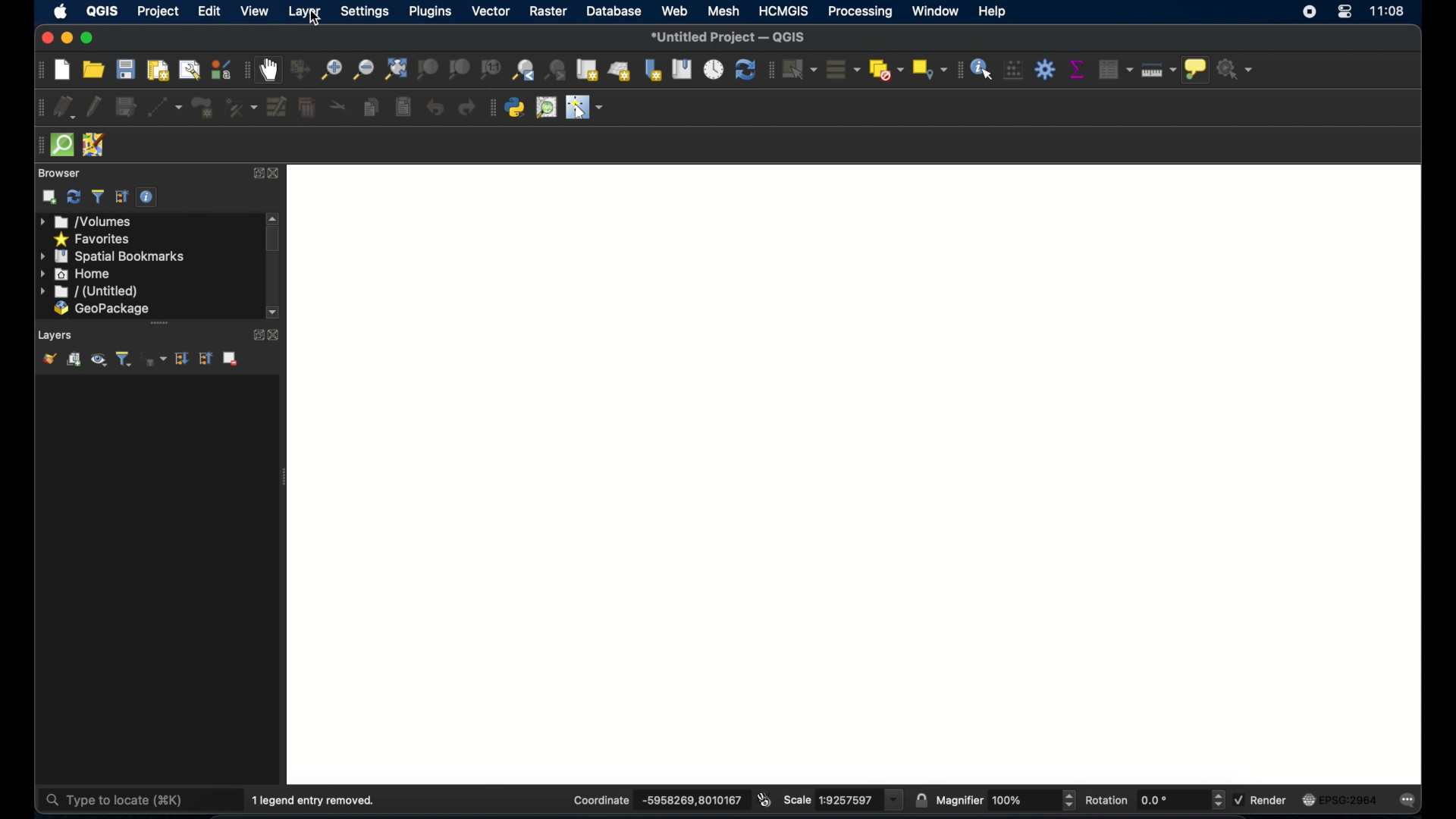 Image resolution: width=1456 pixels, height=819 pixels. I want to click on add group, so click(74, 359).